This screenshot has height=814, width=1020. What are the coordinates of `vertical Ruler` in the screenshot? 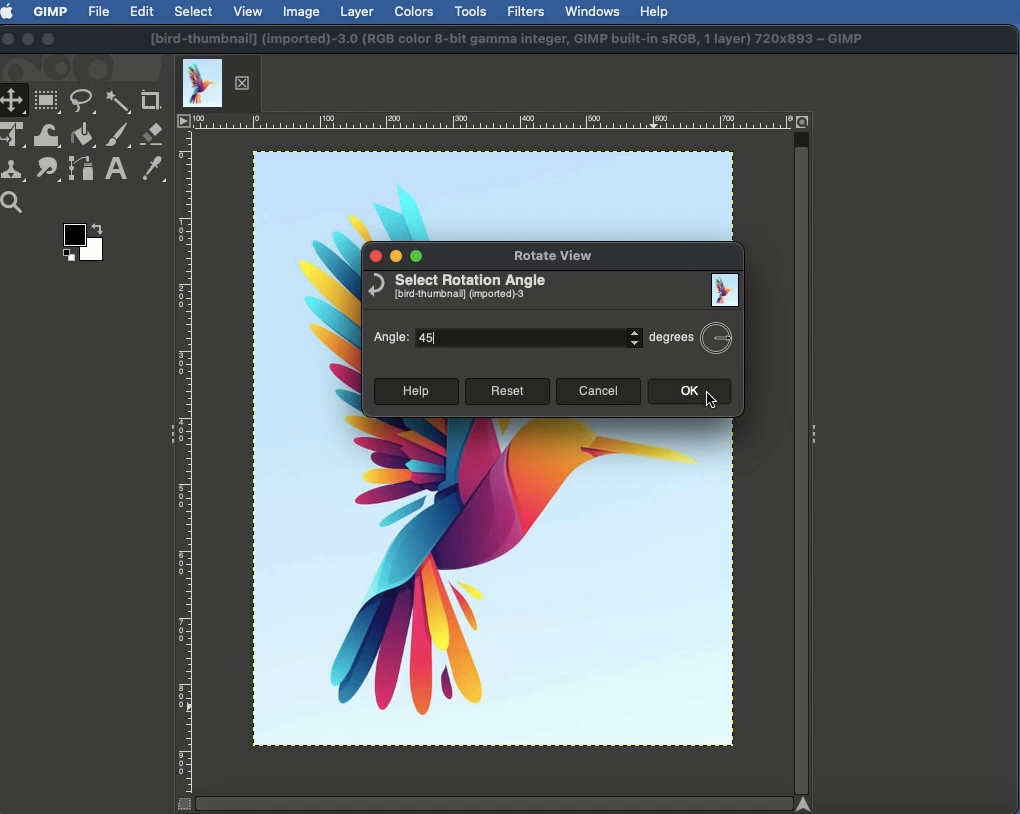 It's located at (186, 462).